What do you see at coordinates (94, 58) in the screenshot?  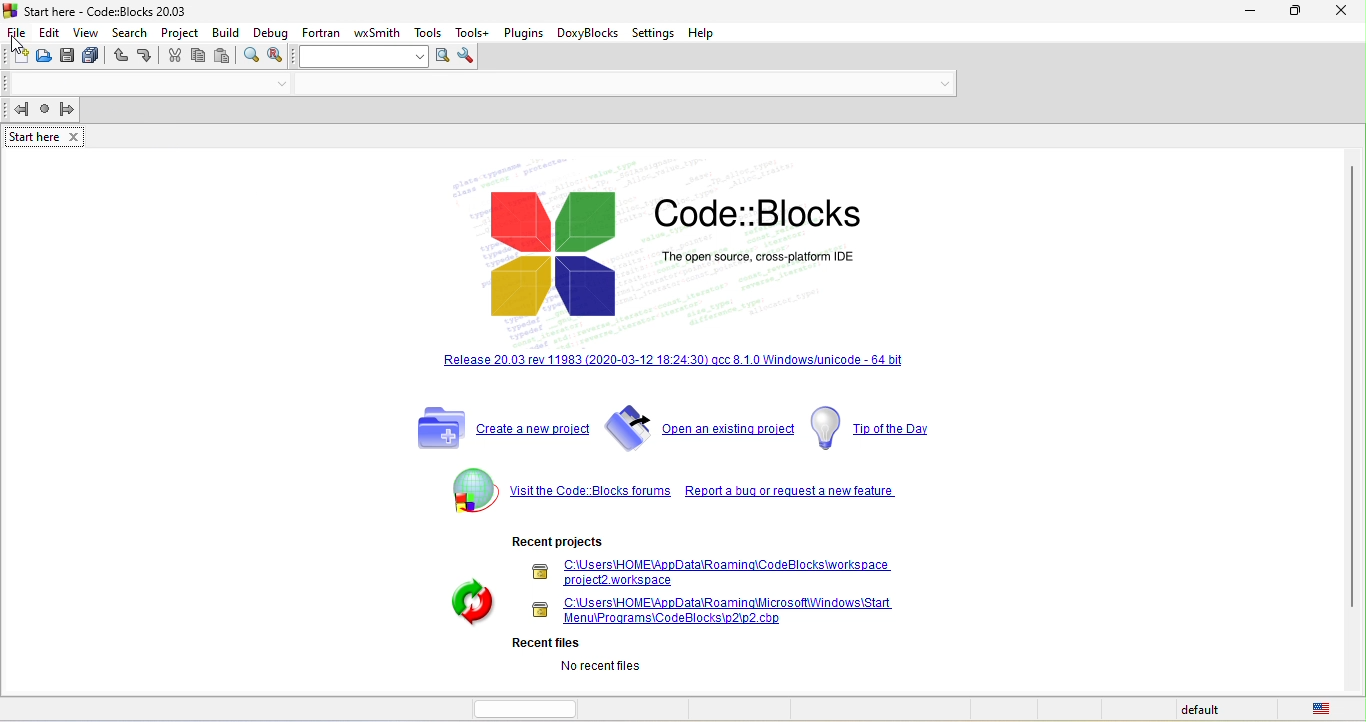 I see `save everything` at bounding box center [94, 58].